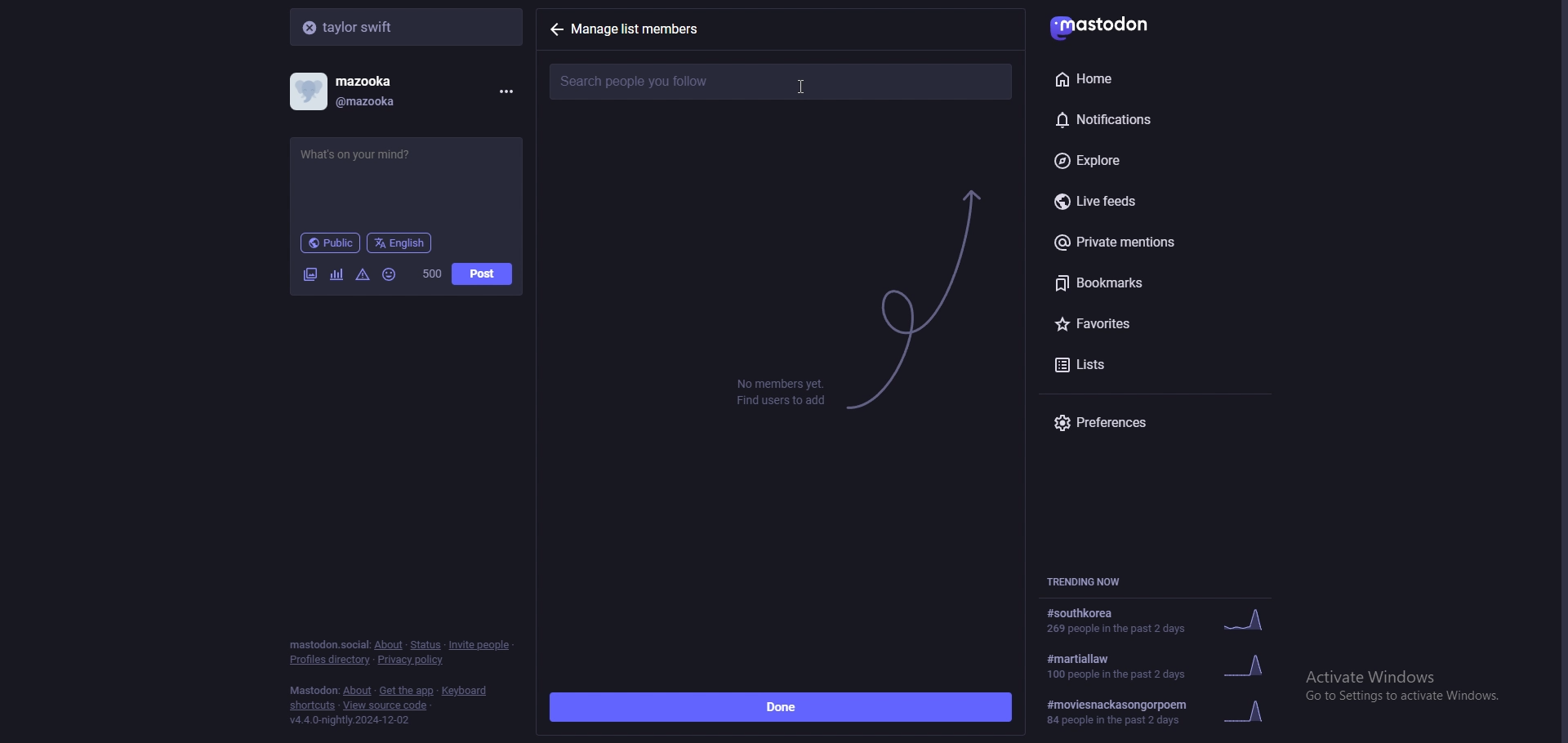 Image resolution: width=1568 pixels, height=743 pixels. What do you see at coordinates (331, 661) in the screenshot?
I see `profiles directory` at bounding box center [331, 661].